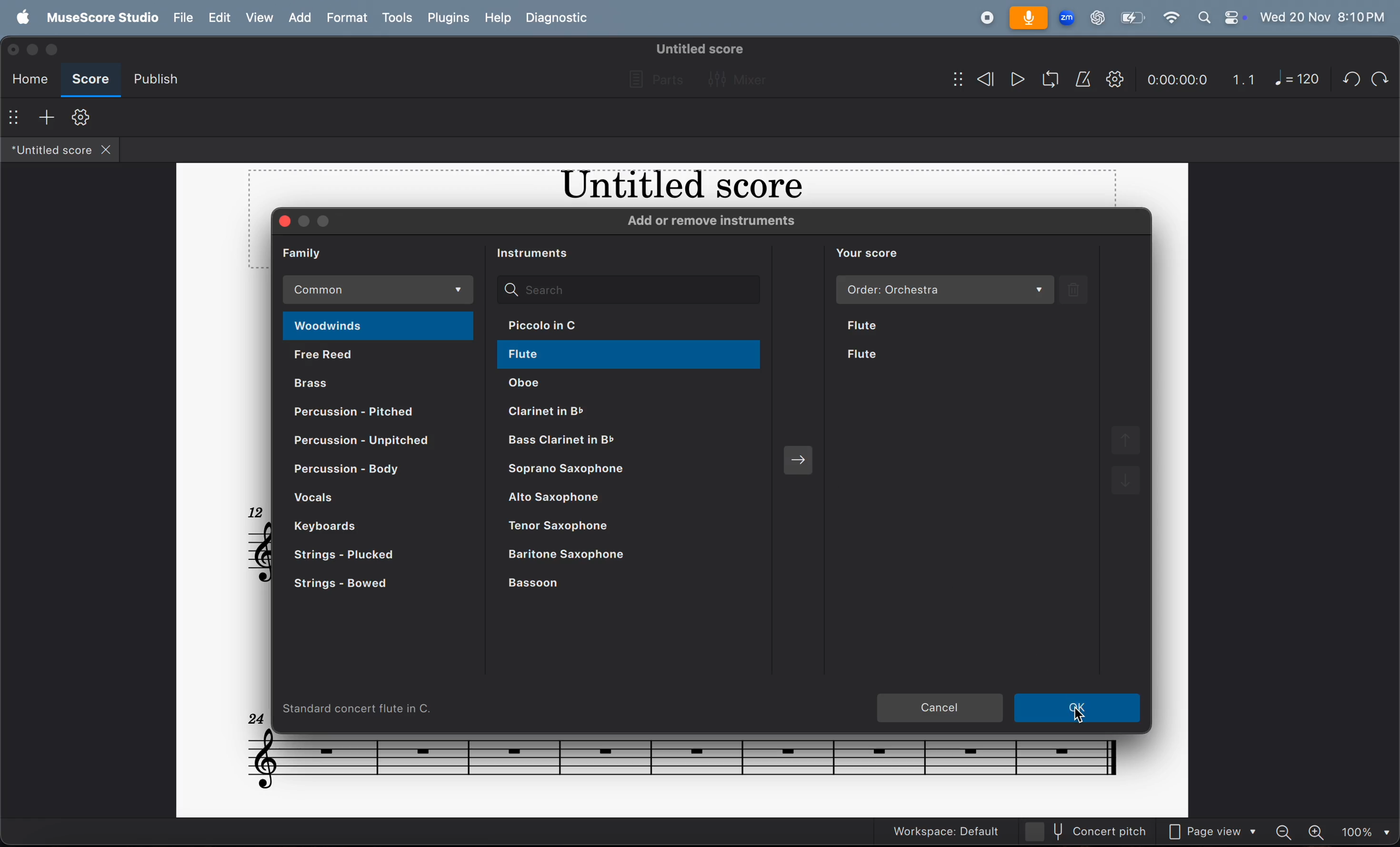  What do you see at coordinates (1323, 18) in the screenshot?
I see `date and time` at bounding box center [1323, 18].